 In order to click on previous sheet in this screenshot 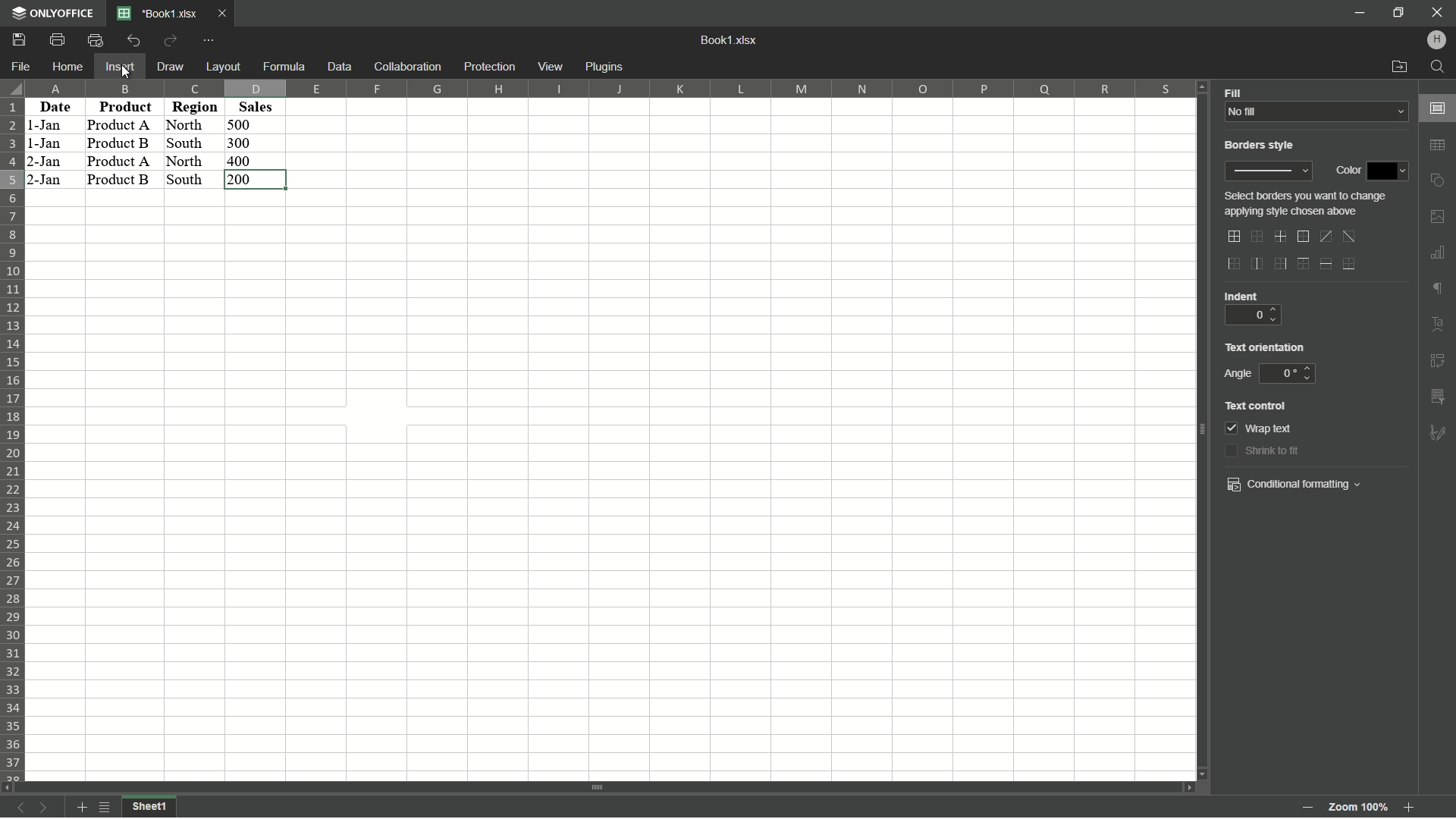, I will do `click(19, 810)`.